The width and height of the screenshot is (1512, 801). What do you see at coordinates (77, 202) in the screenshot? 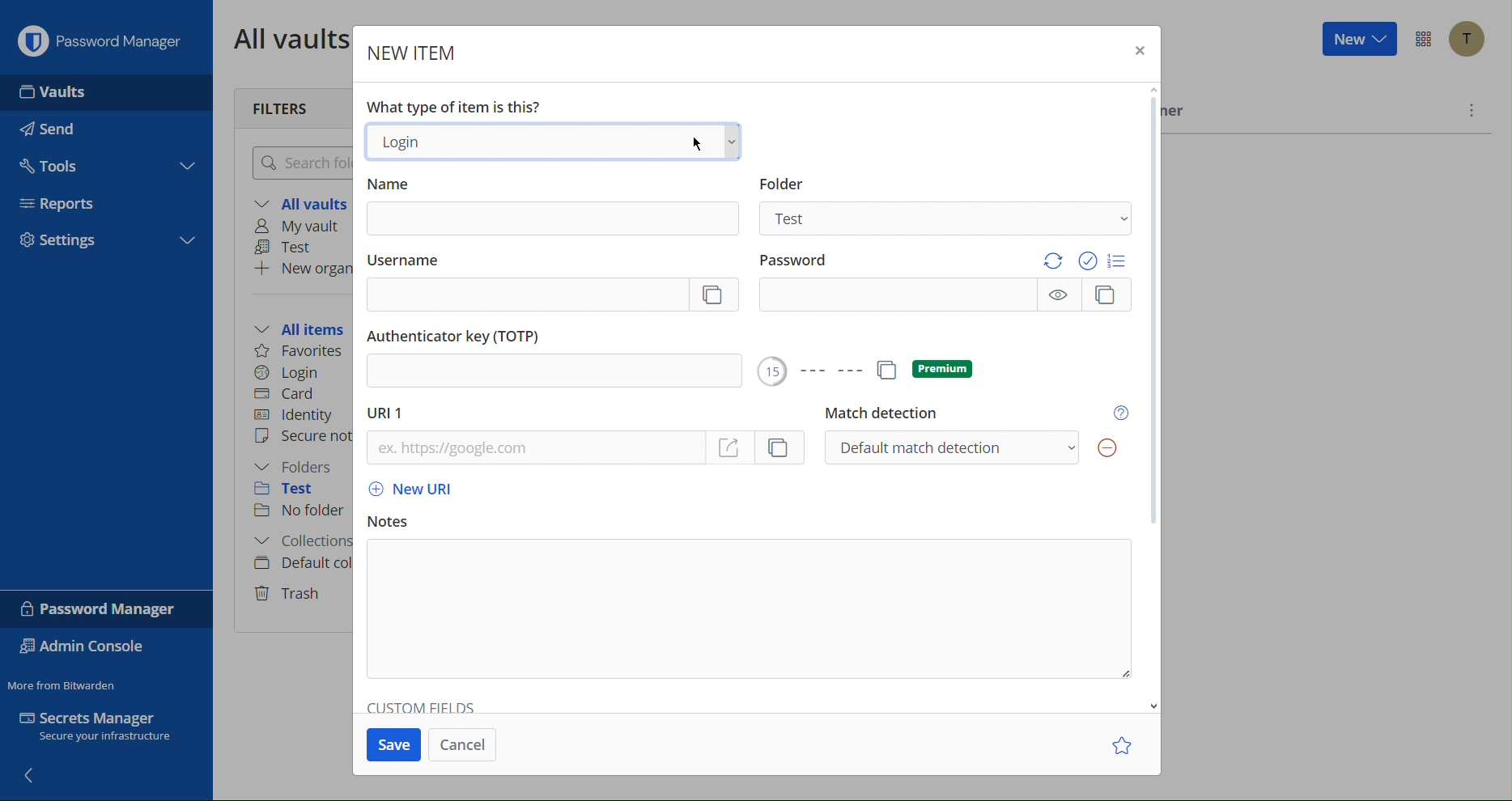
I see `Reports` at bounding box center [77, 202].